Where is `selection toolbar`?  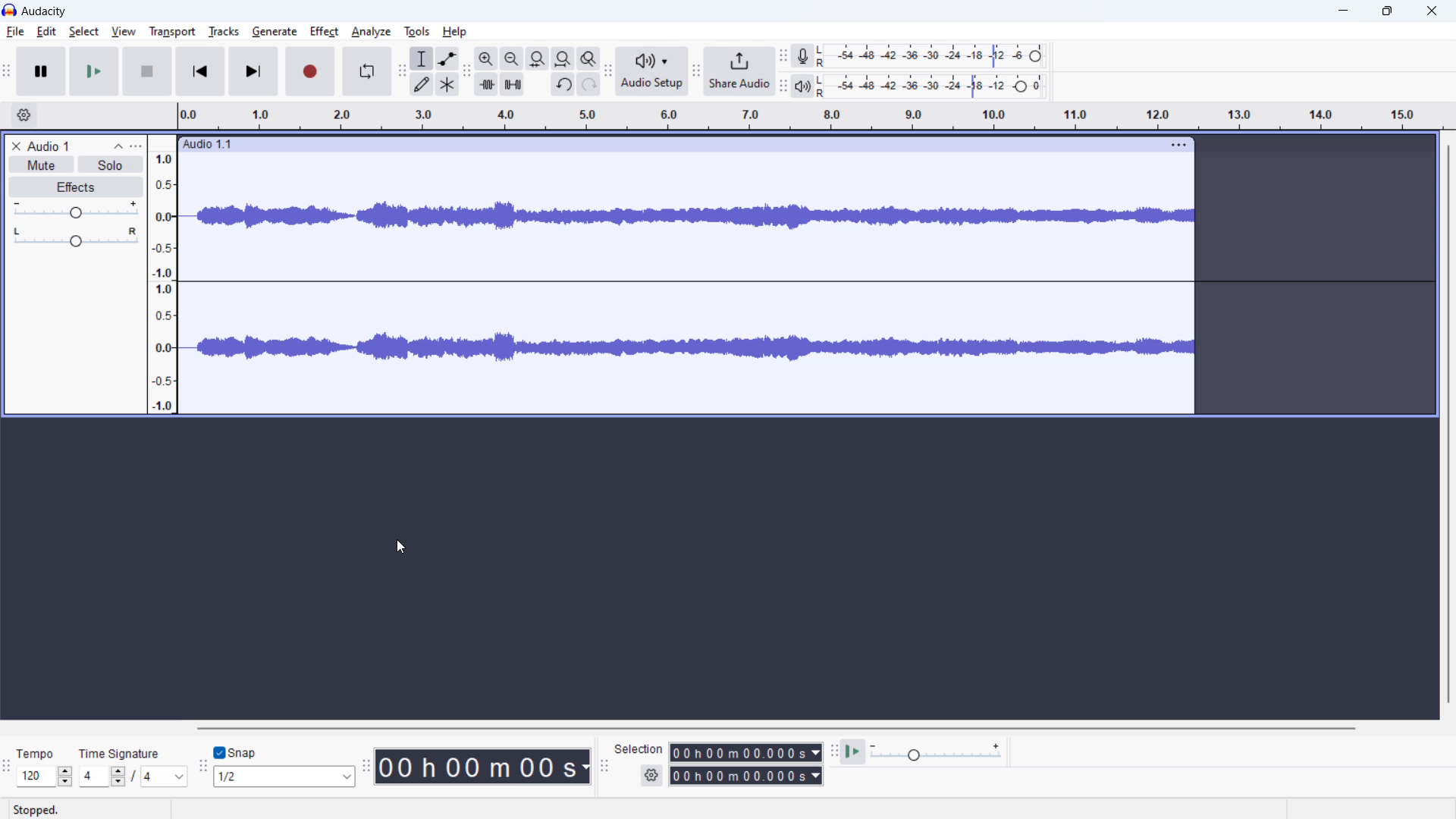
selection toolbar is located at coordinates (604, 765).